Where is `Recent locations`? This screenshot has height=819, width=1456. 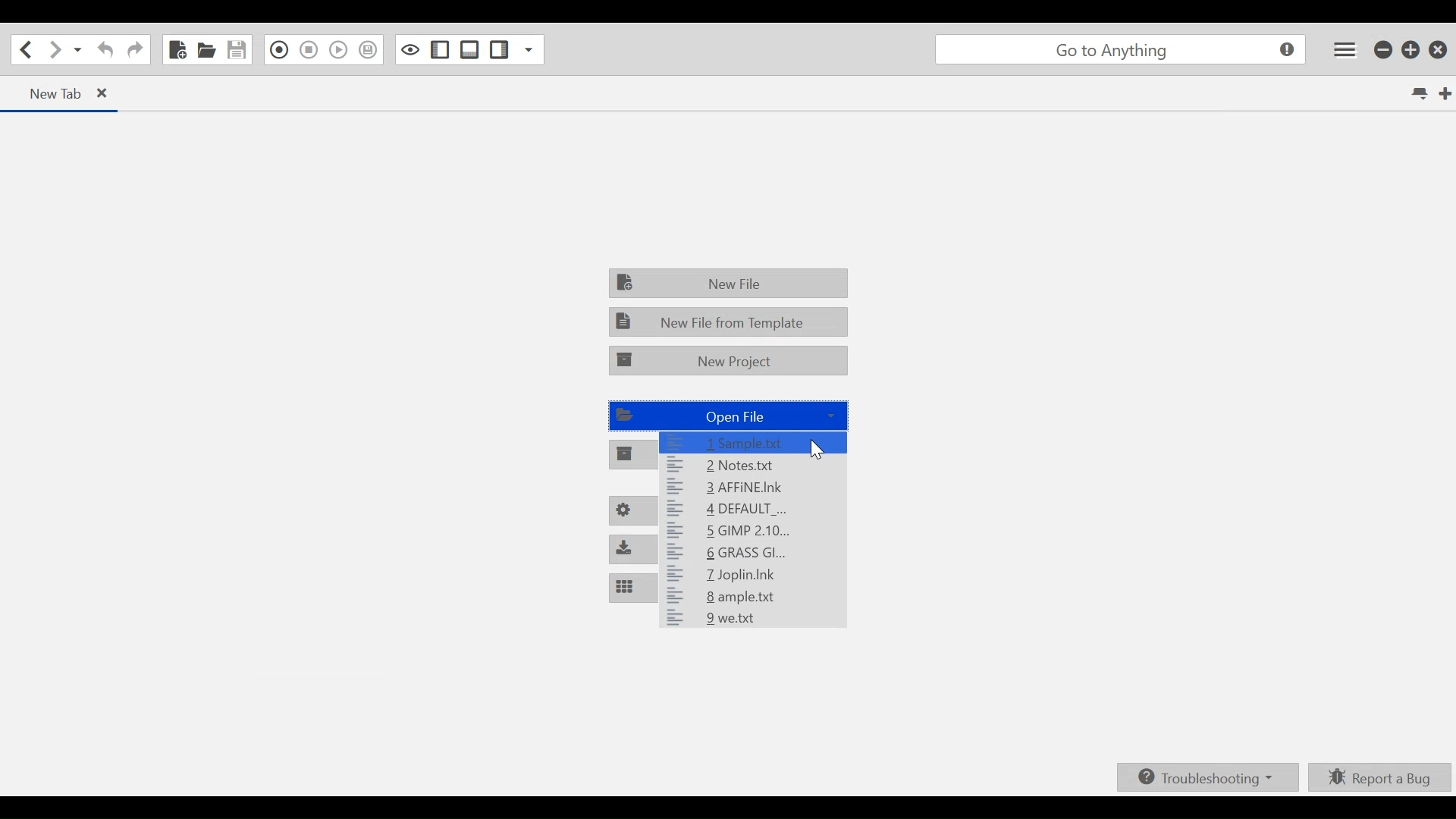
Recent locations is located at coordinates (77, 49).